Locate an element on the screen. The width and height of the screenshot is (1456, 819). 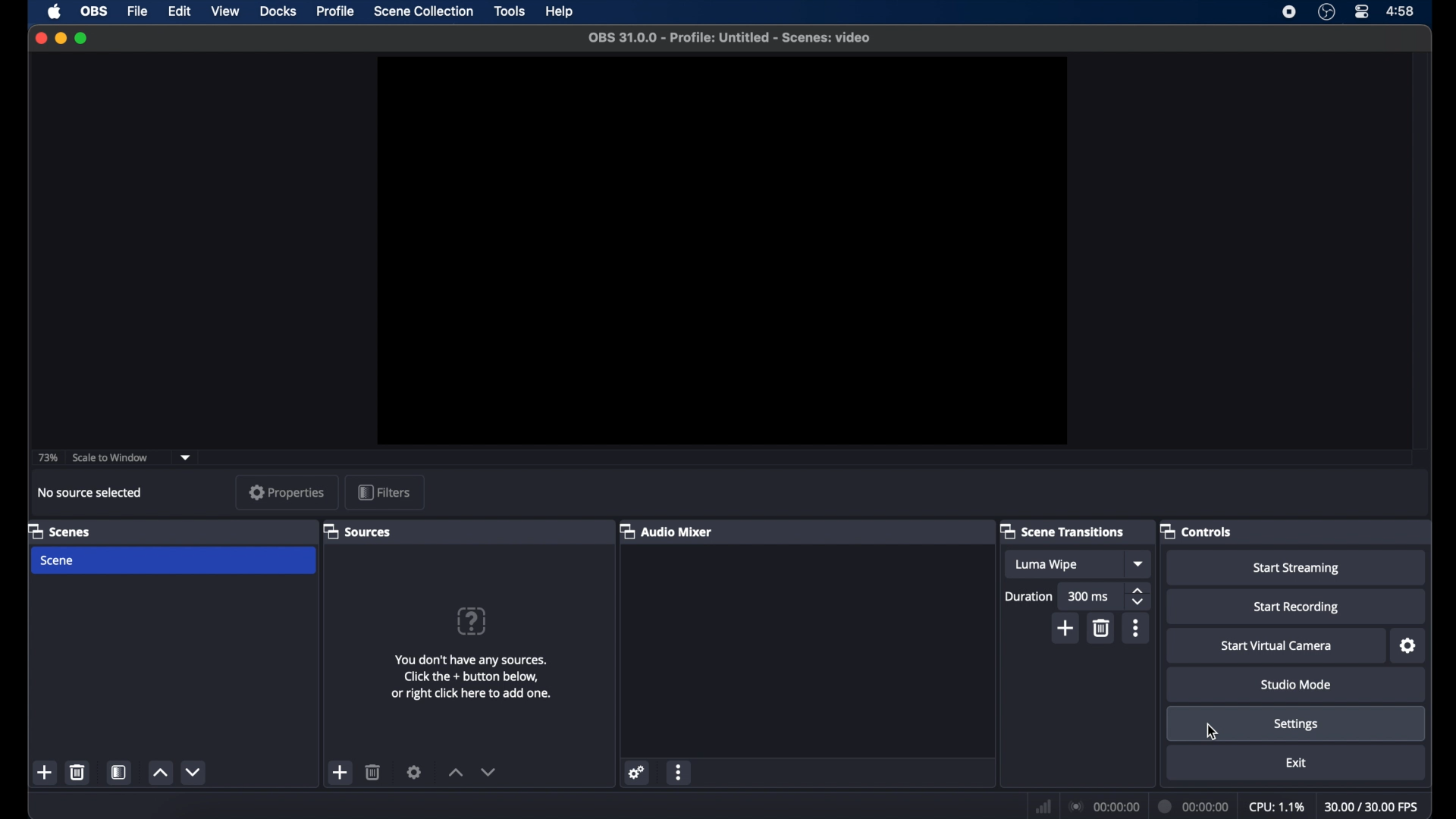
view is located at coordinates (226, 11).